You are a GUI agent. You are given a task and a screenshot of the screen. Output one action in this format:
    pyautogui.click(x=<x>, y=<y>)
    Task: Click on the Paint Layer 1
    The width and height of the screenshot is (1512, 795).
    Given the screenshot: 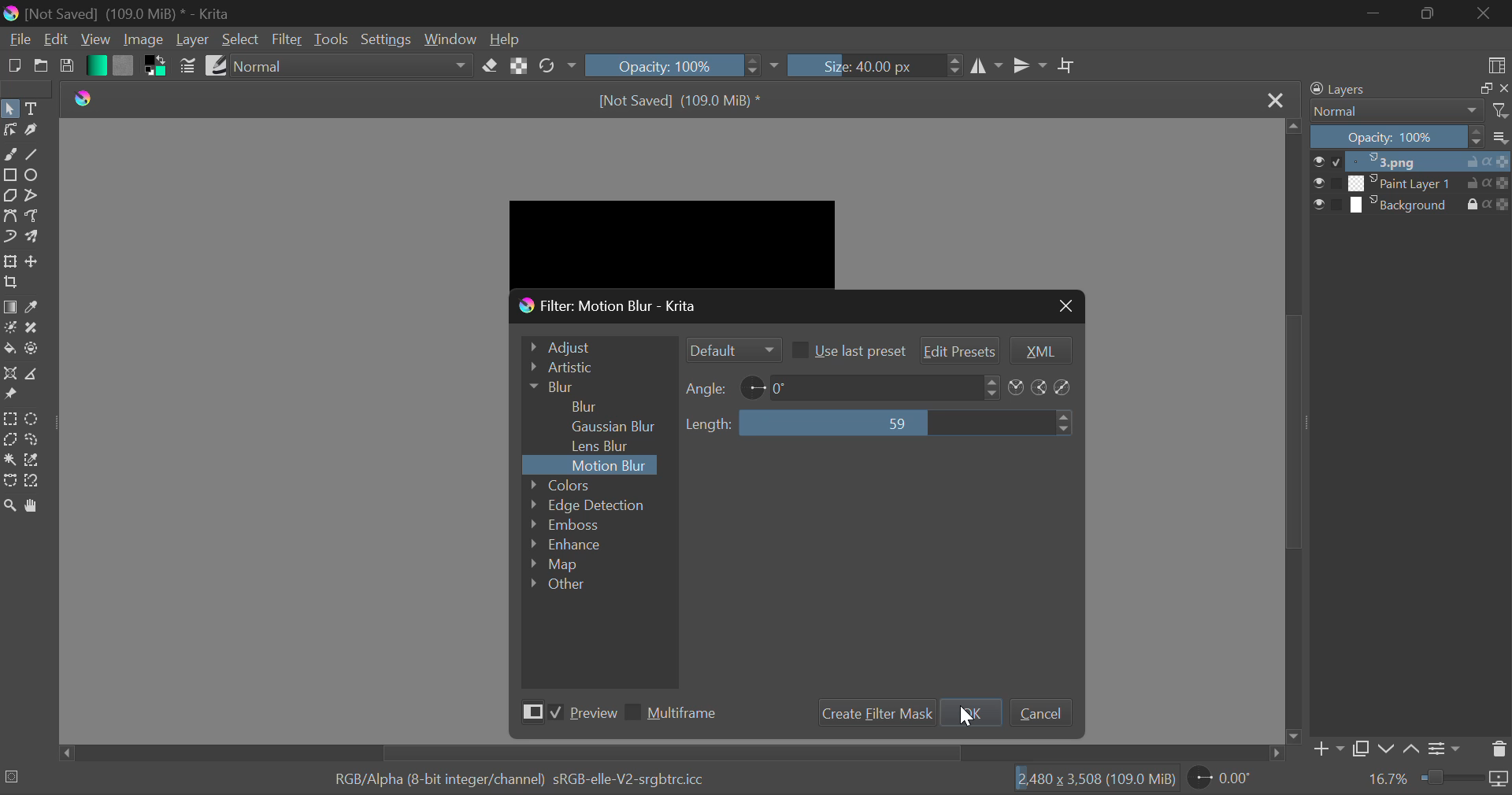 What is the action you would take?
    pyautogui.click(x=1413, y=183)
    